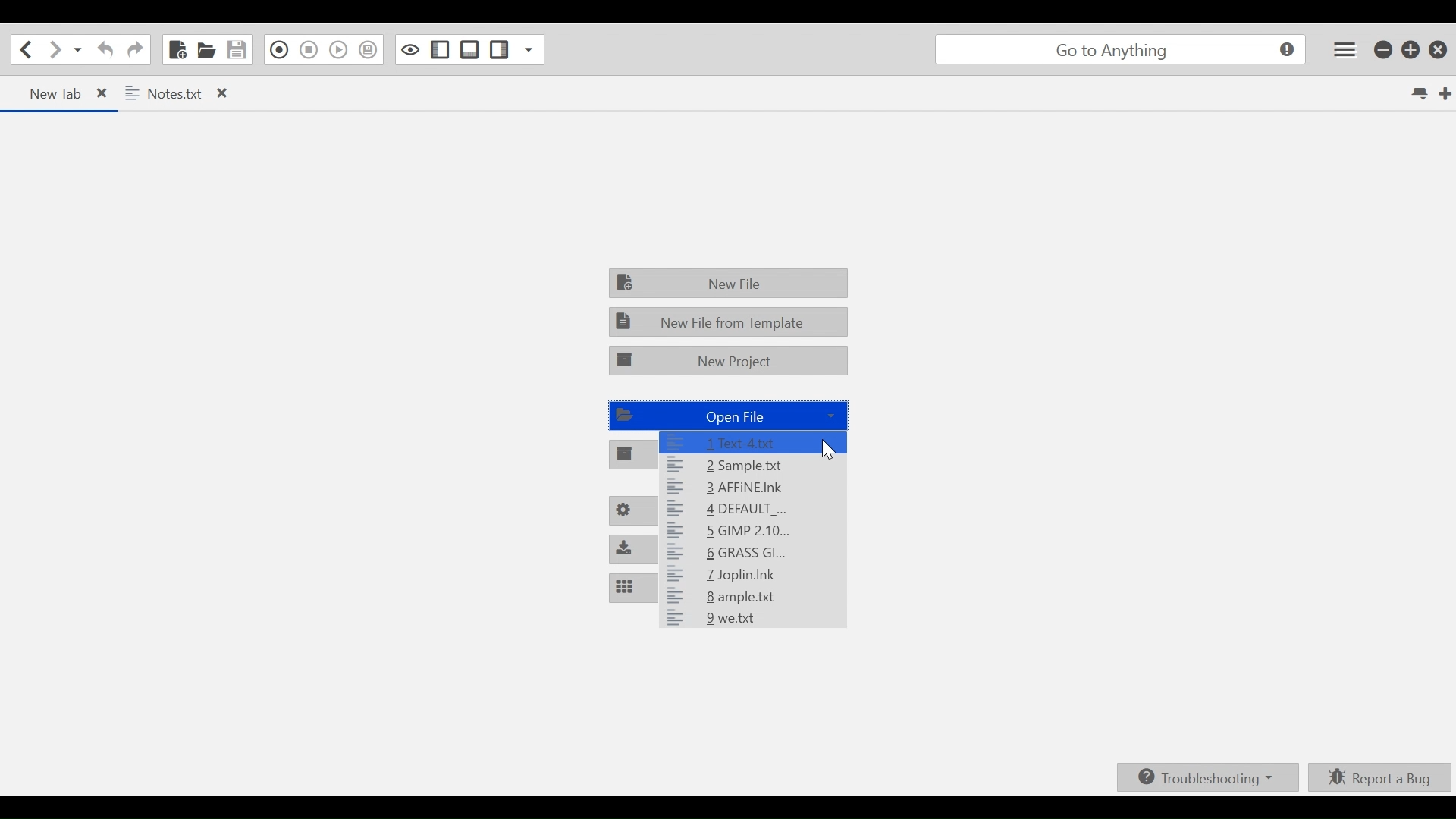 The image size is (1456, 819). What do you see at coordinates (730, 360) in the screenshot?
I see `New Project` at bounding box center [730, 360].